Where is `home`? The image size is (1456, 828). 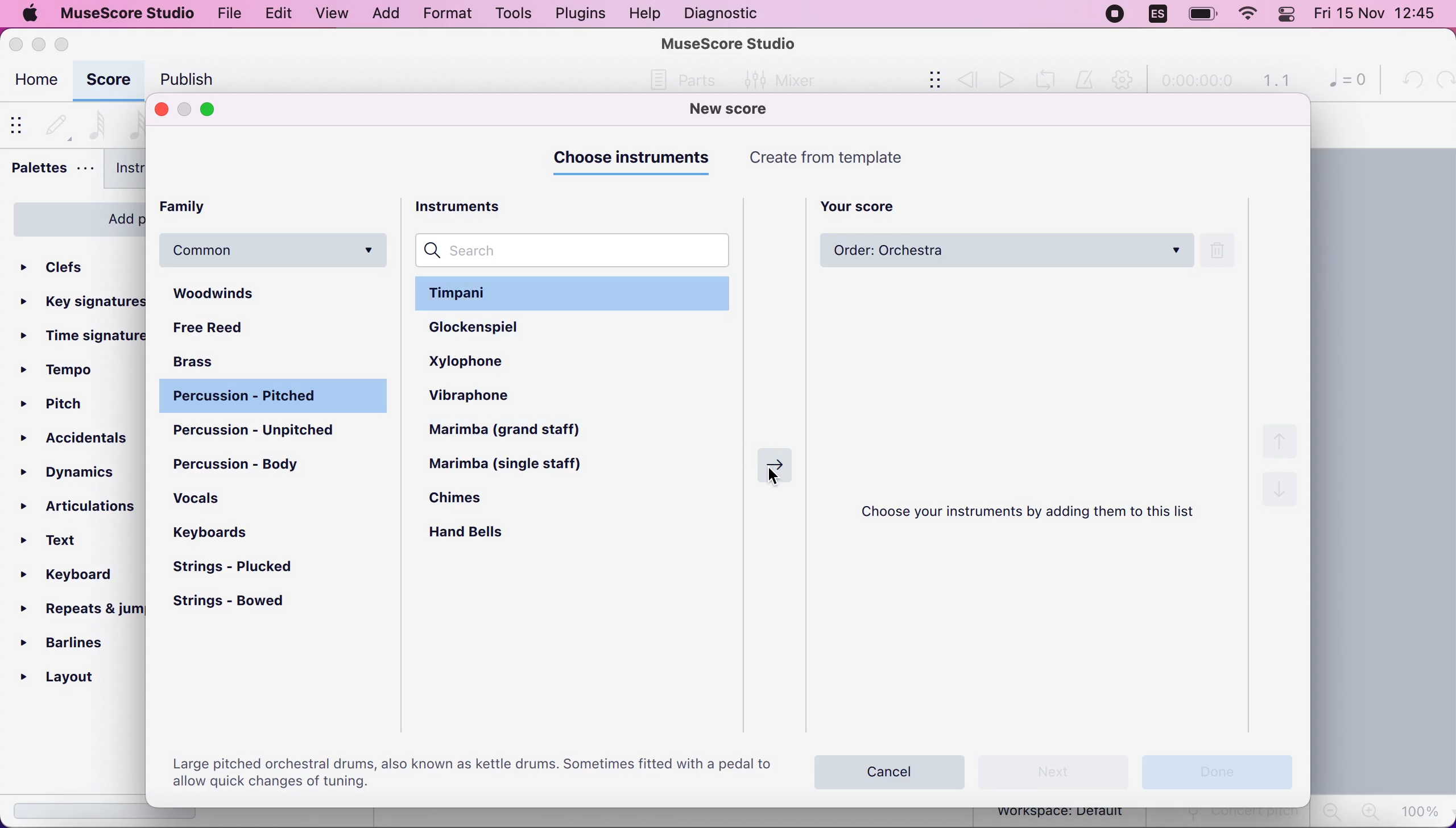 home is located at coordinates (35, 82).